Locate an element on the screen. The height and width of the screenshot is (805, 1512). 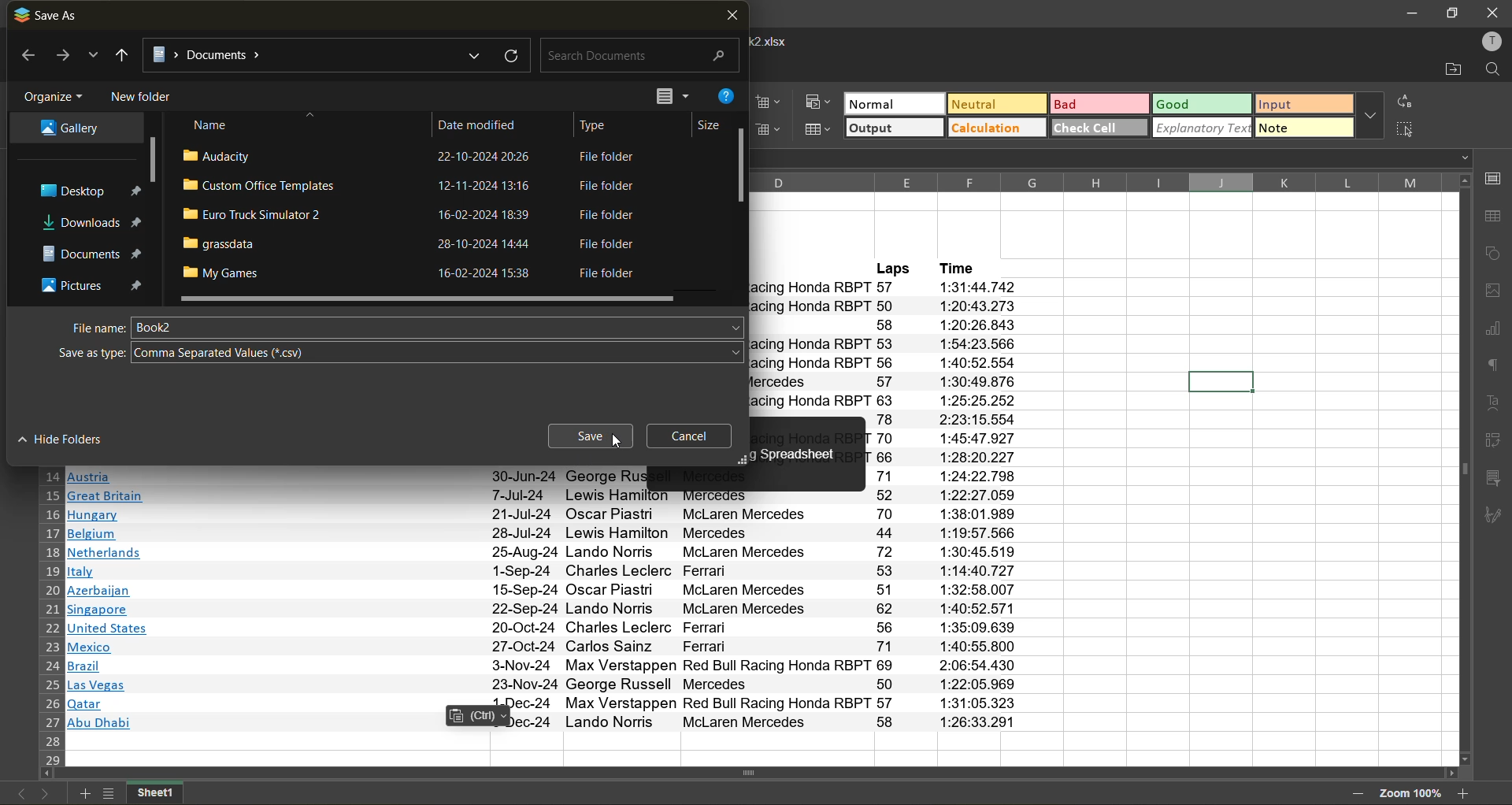
back is located at coordinates (24, 57).